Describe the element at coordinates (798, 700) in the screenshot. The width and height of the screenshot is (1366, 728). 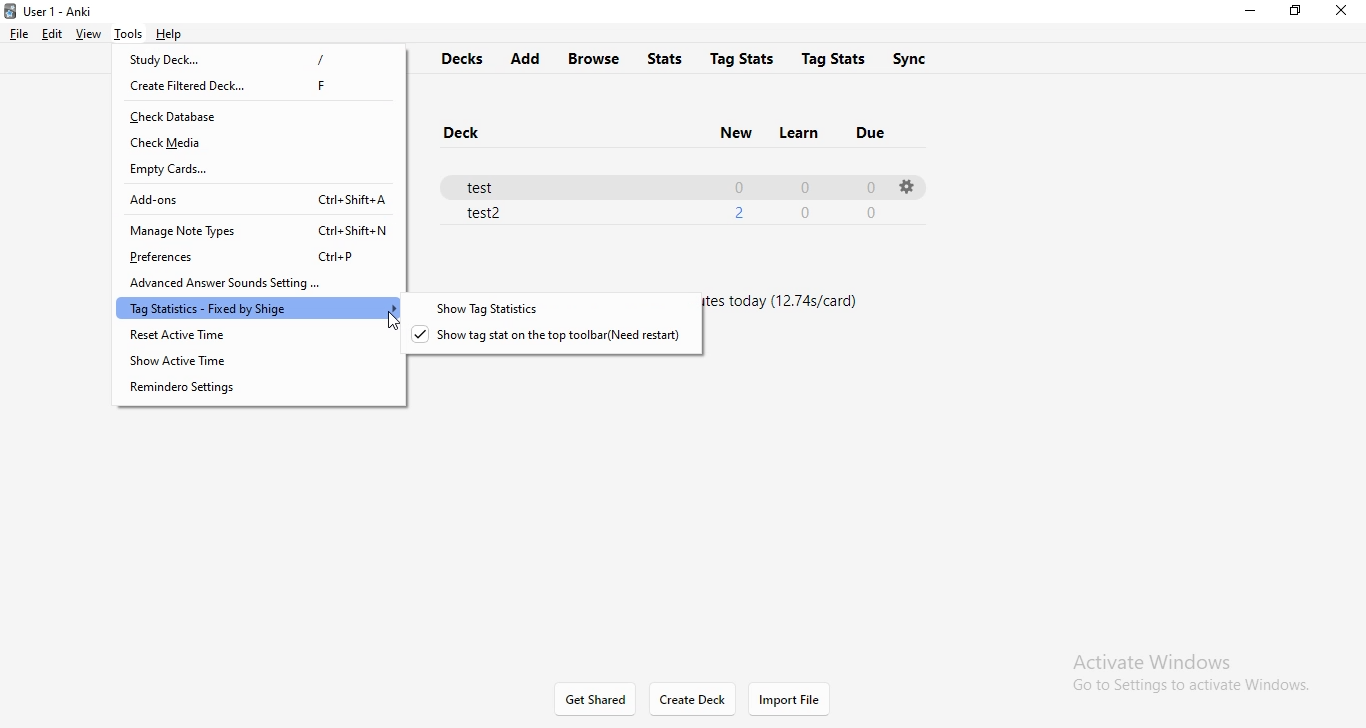
I see `import file` at that location.